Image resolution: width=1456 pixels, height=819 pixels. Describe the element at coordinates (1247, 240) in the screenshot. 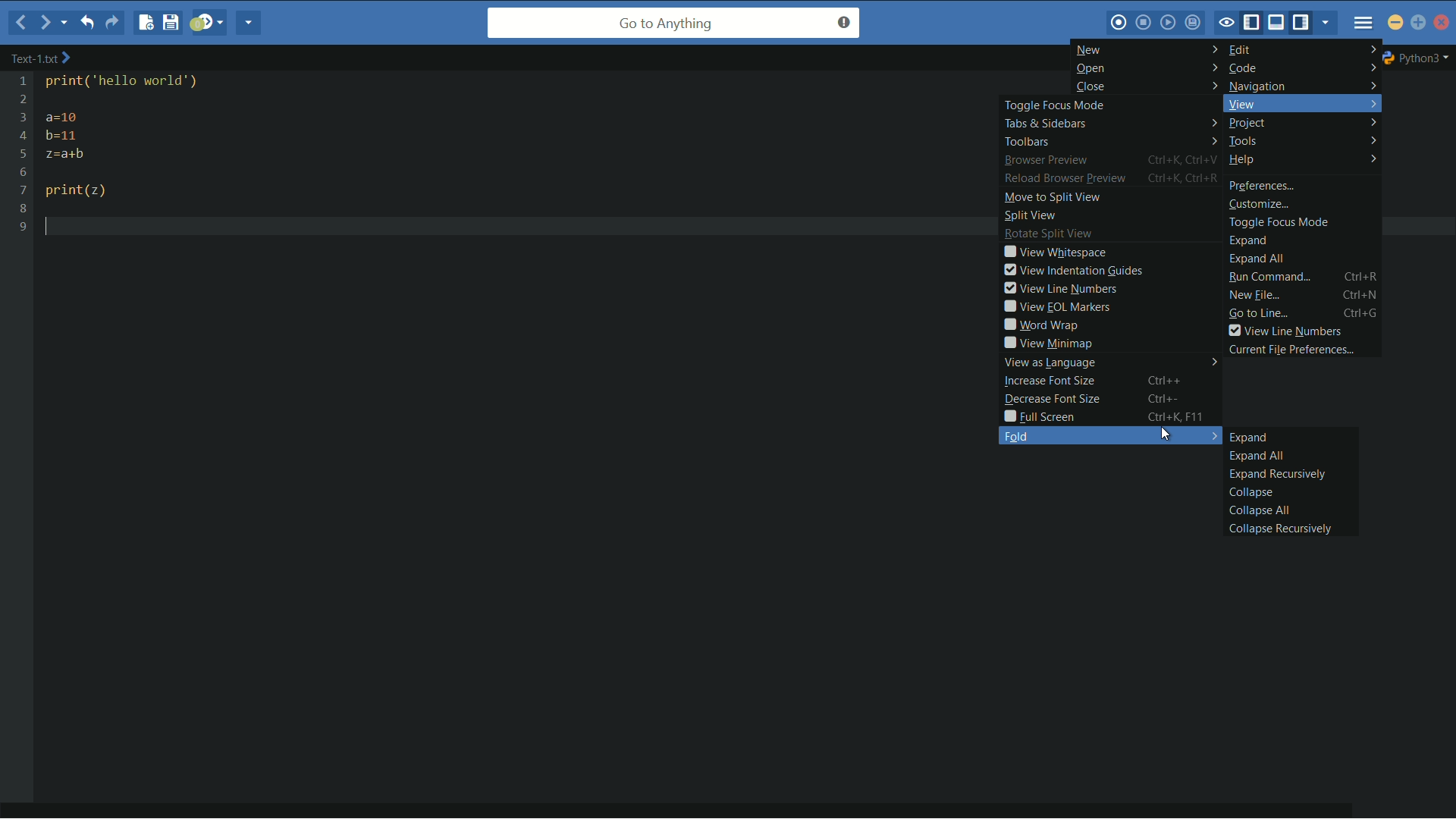

I see `expand` at that location.